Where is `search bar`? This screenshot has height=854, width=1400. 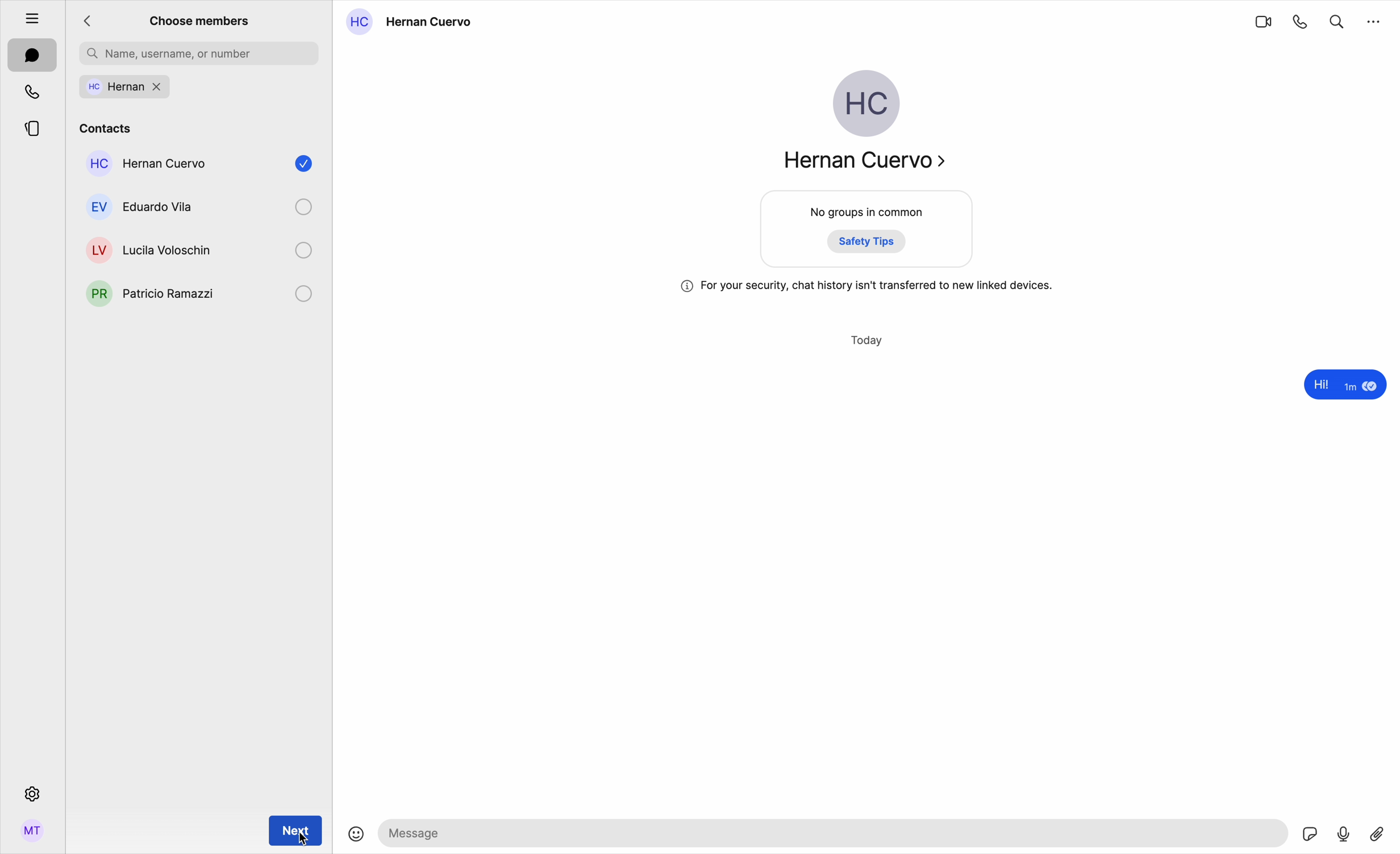
search bar is located at coordinates (199, 53).